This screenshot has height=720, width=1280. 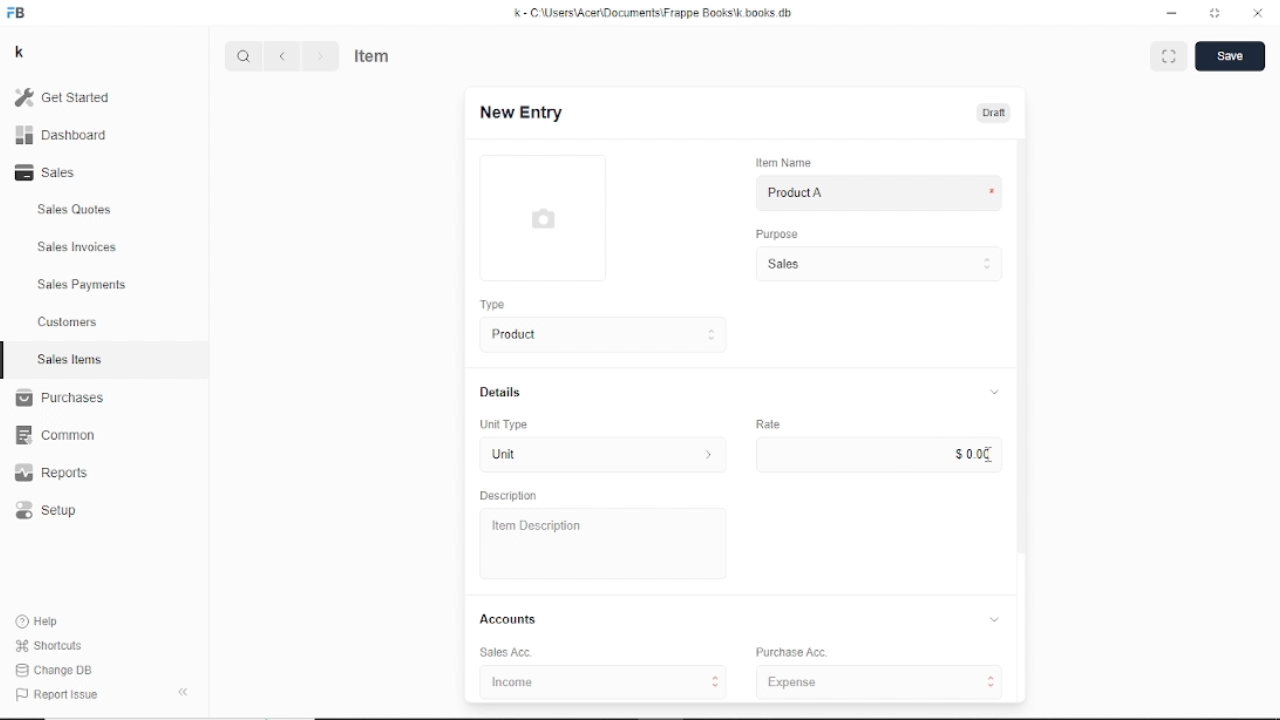 I want to click on Save, so click(x=1231, y=56).